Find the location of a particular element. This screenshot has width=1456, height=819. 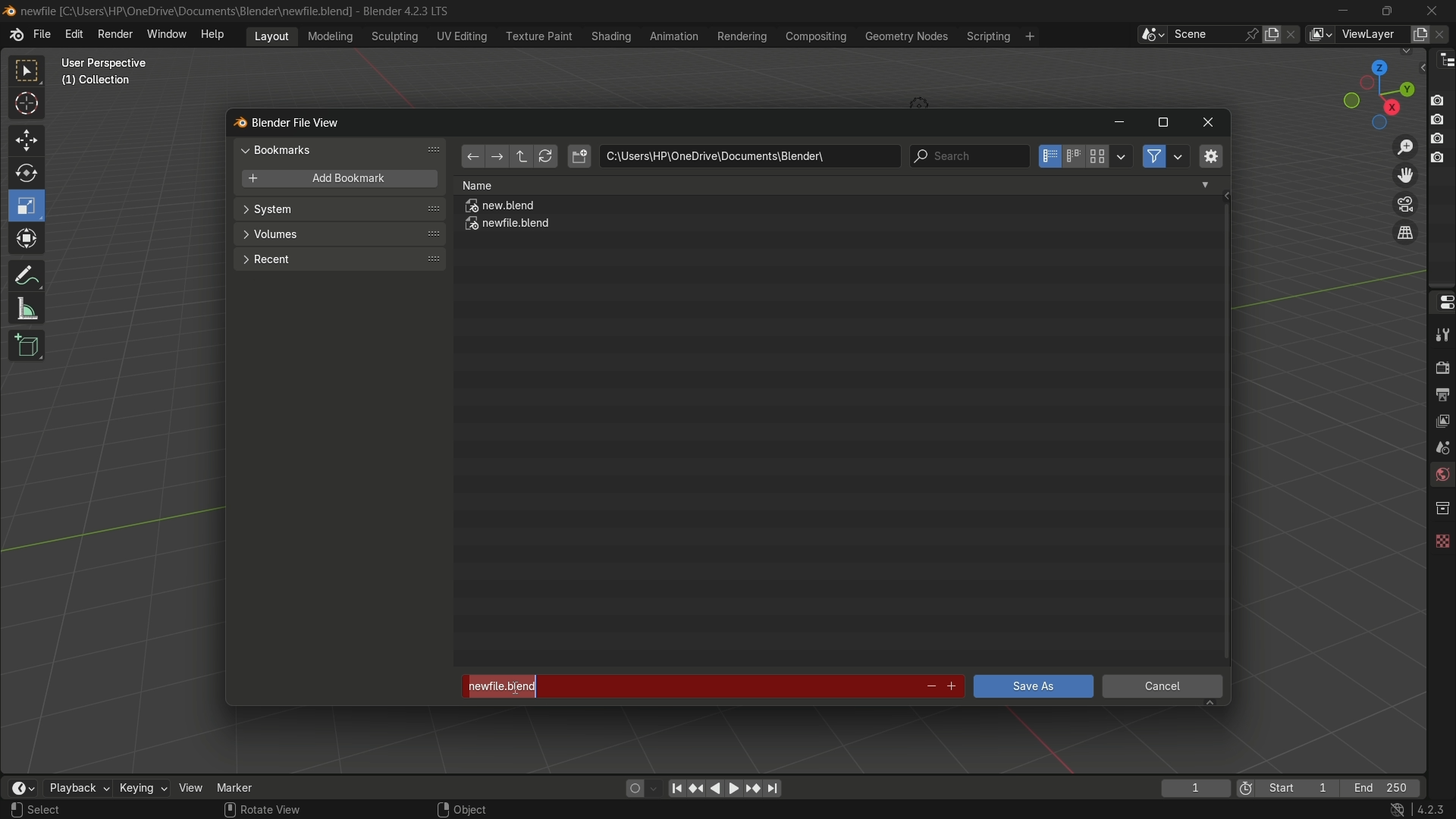

move is located at coordinates (25, 139).